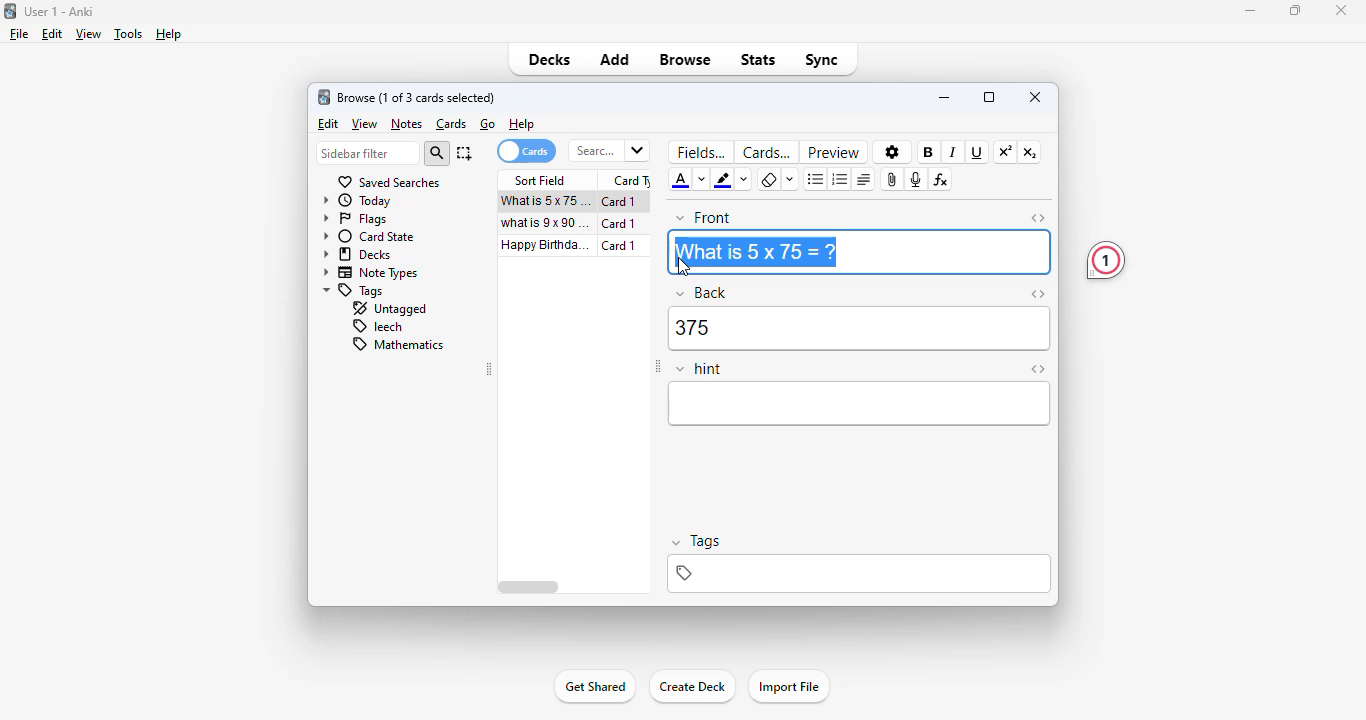  Describe the element at coordinates (630, 179) in the screenshot. I see `card type` at that location.